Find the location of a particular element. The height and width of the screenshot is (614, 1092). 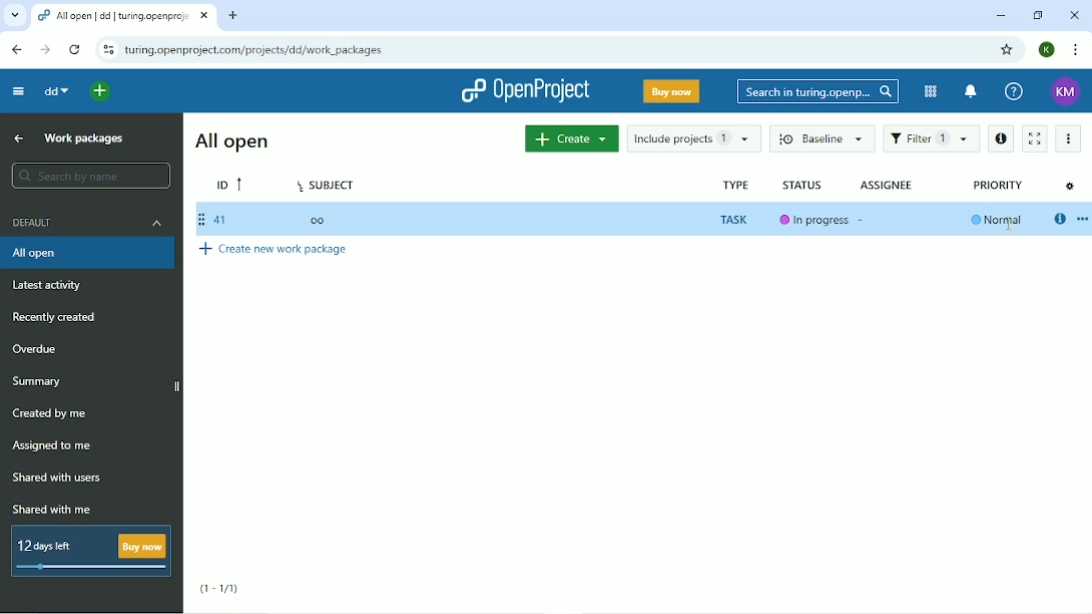

Priority is located at coordinates (996, 186).